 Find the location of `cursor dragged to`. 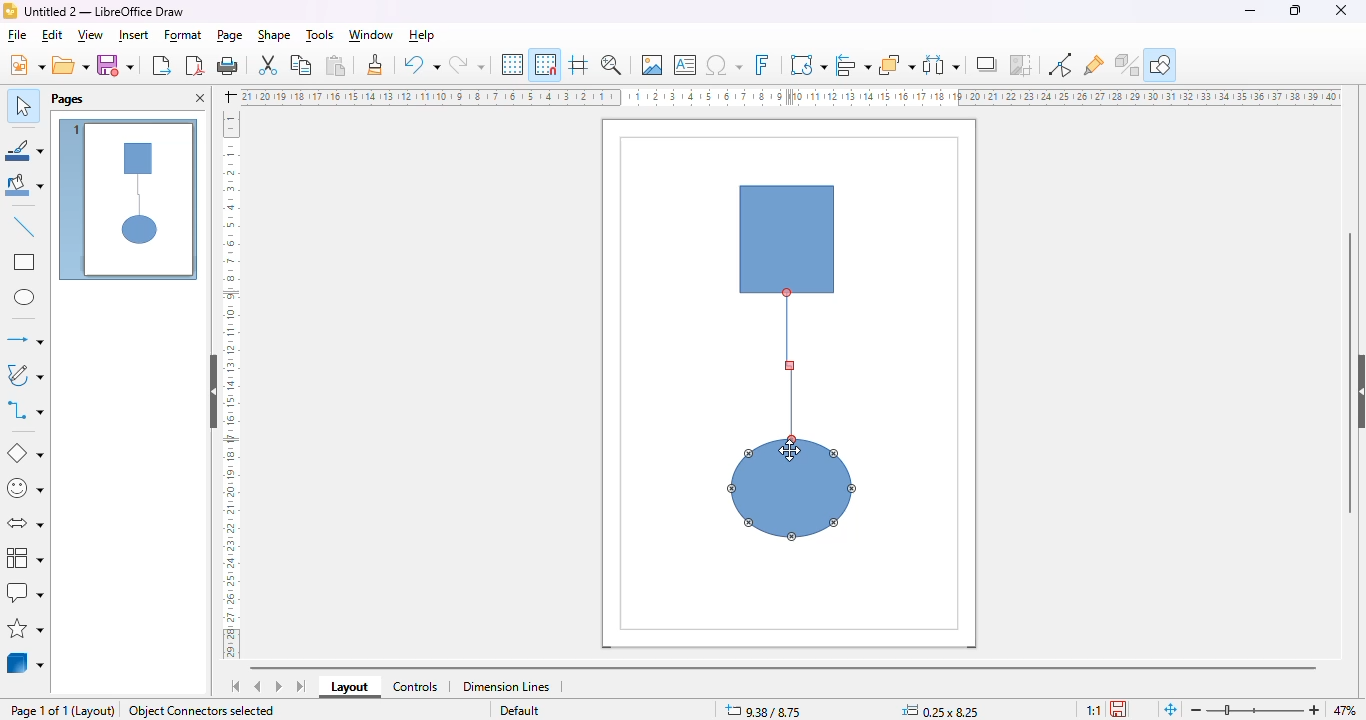

cursor dragged to is located at coordinates (790, 362).